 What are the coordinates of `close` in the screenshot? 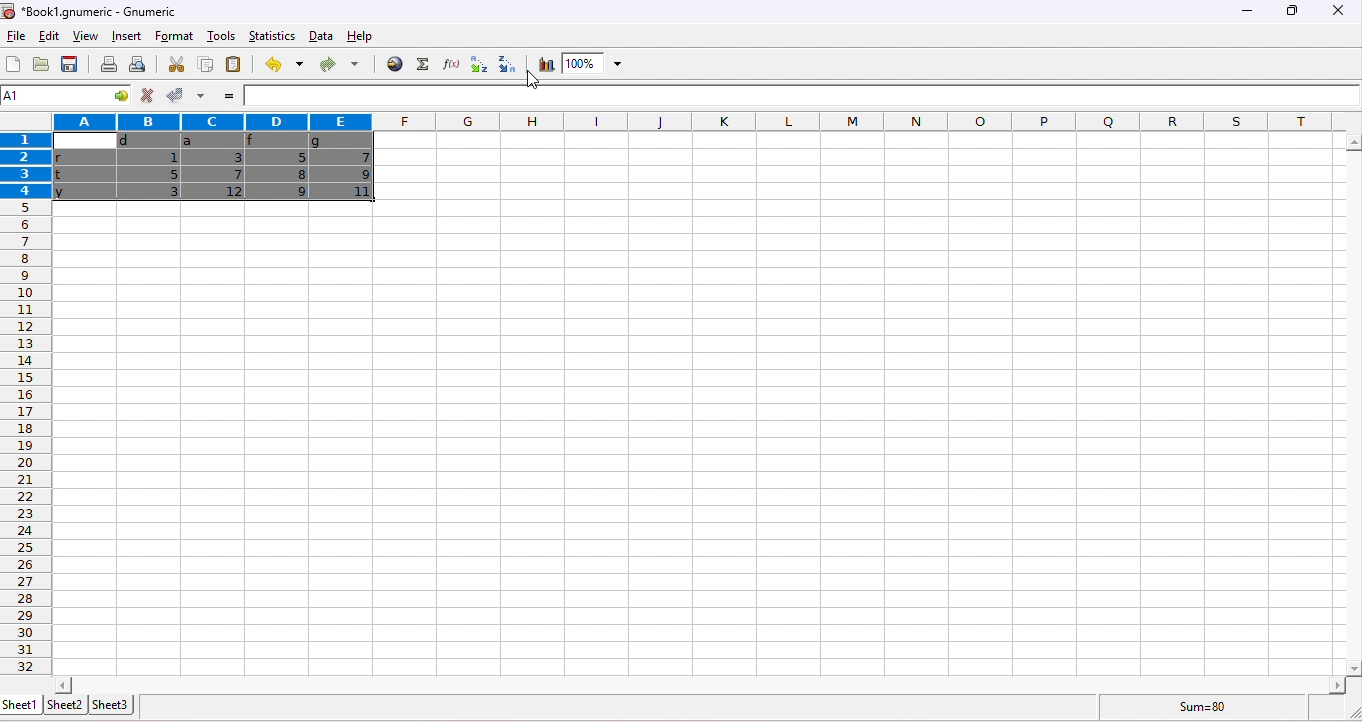 It's located at (1339, 13).